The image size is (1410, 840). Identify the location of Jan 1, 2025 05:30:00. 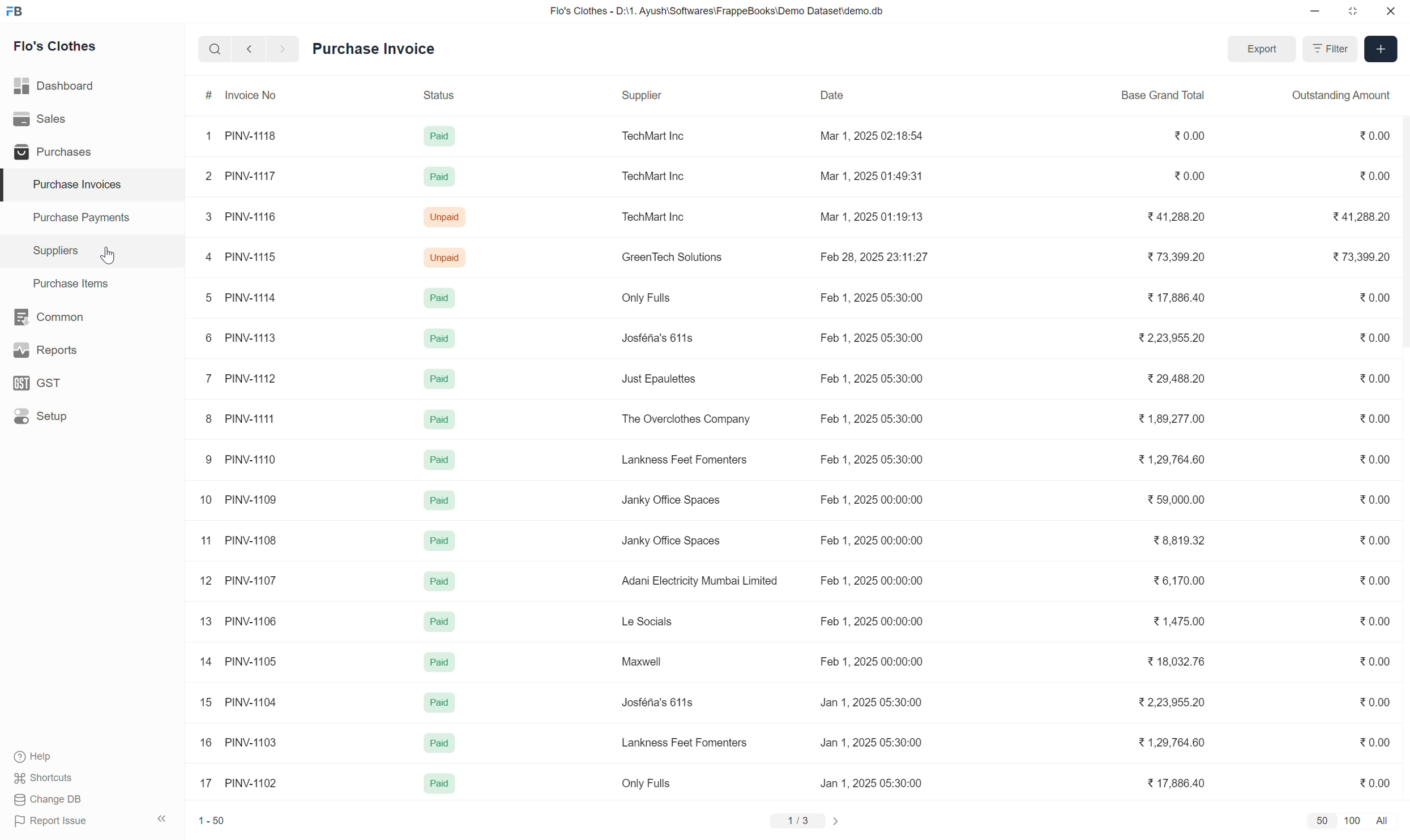
(868, 782).